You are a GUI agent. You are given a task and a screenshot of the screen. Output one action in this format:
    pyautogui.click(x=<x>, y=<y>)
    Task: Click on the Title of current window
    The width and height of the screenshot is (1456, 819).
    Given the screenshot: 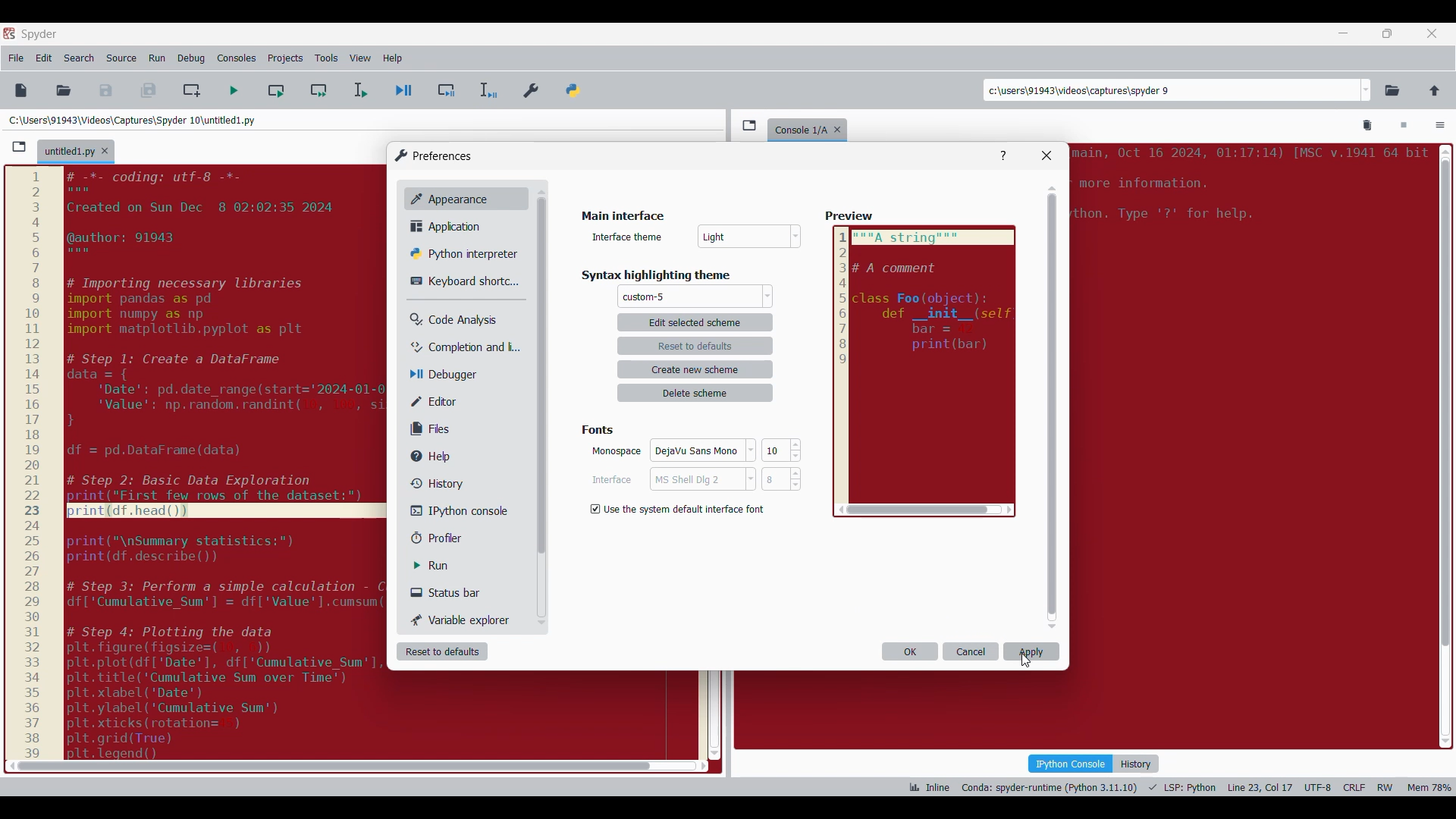 What is the action you would take?
    pyautogui.click(x=621, y=217)
    